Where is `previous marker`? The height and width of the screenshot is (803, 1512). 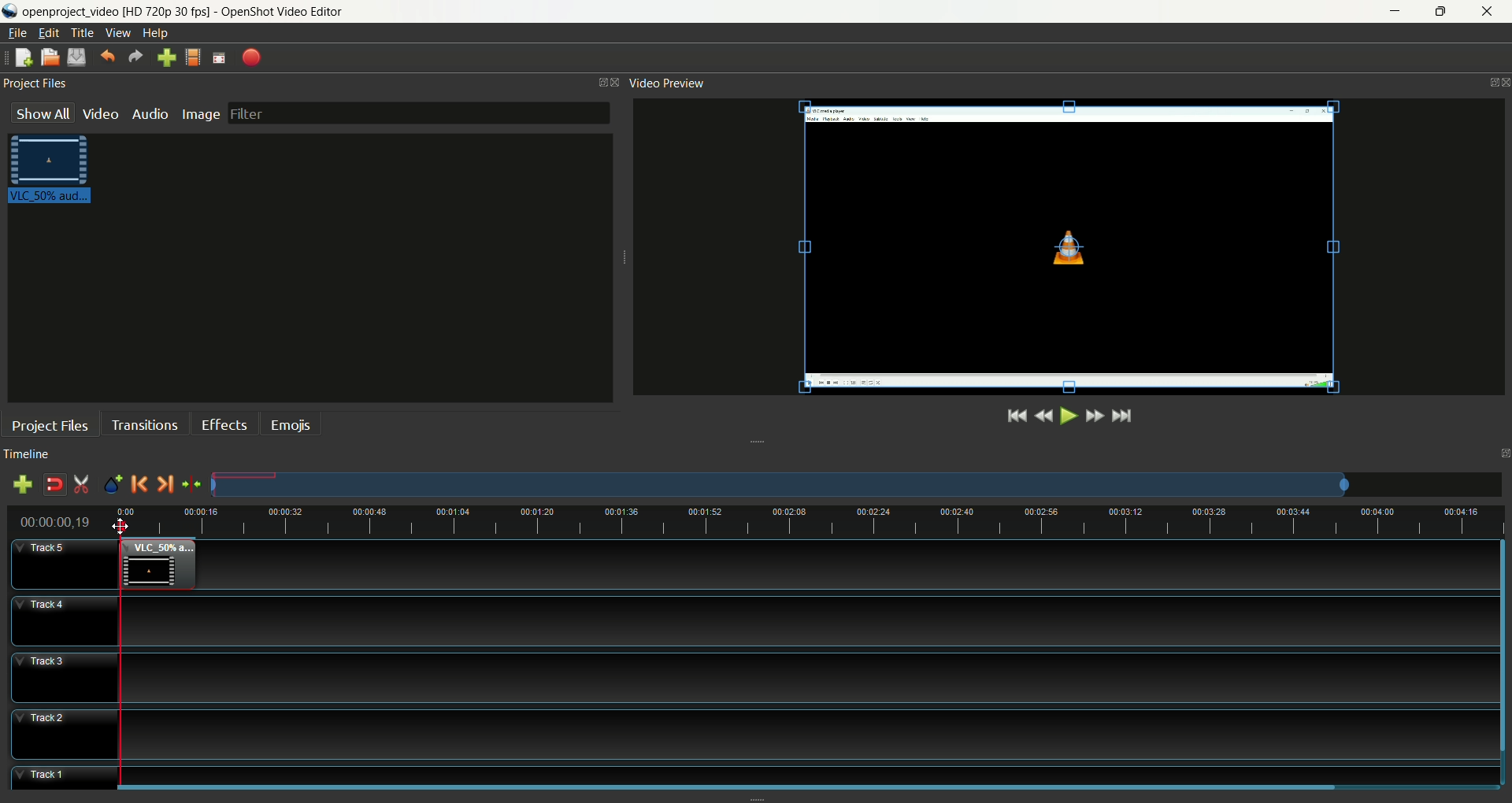 previous marker is located at coordinates (139, 484).